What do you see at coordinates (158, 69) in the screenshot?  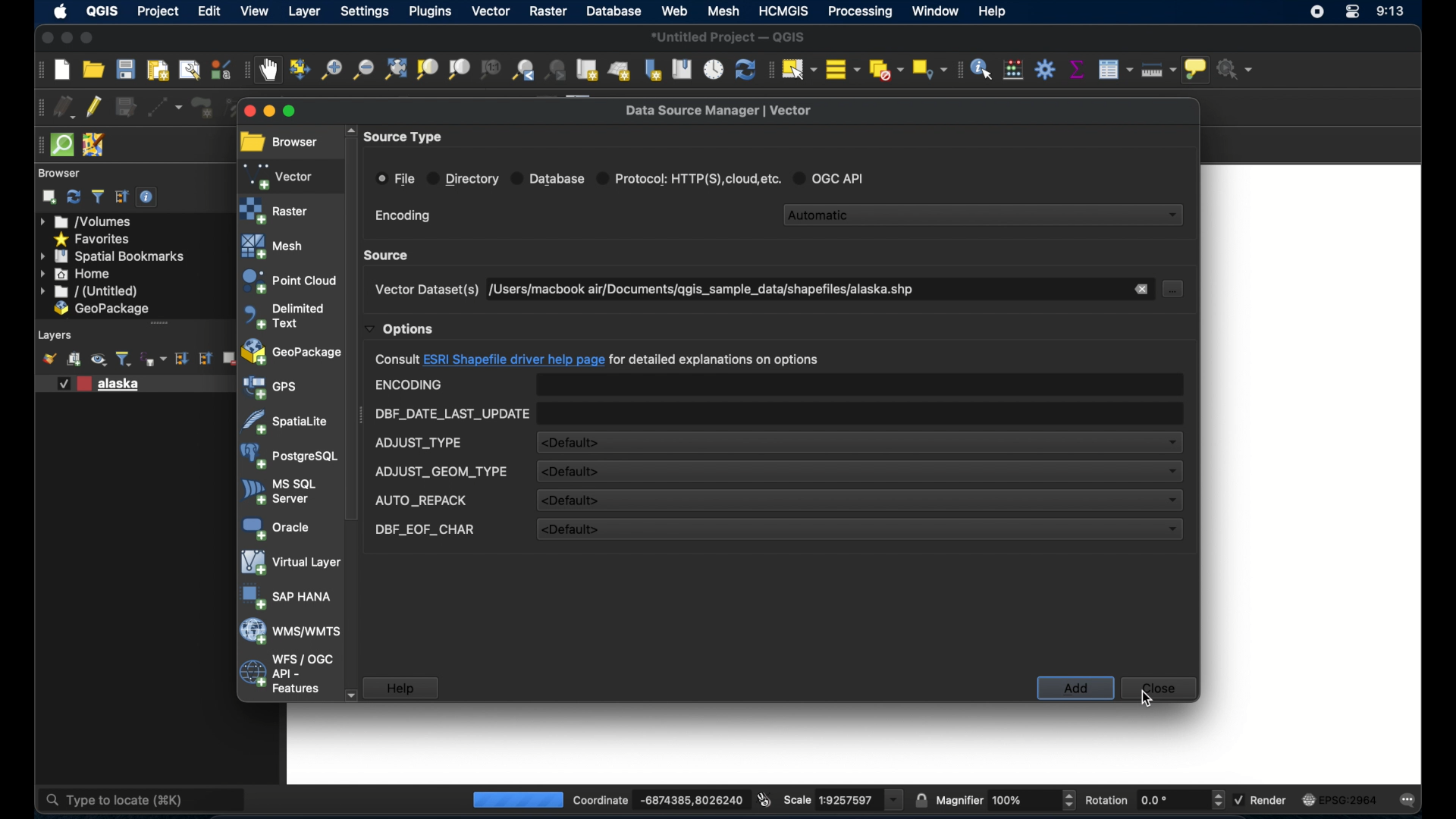 I see `new paint layout` at bounding box center [158, 69].